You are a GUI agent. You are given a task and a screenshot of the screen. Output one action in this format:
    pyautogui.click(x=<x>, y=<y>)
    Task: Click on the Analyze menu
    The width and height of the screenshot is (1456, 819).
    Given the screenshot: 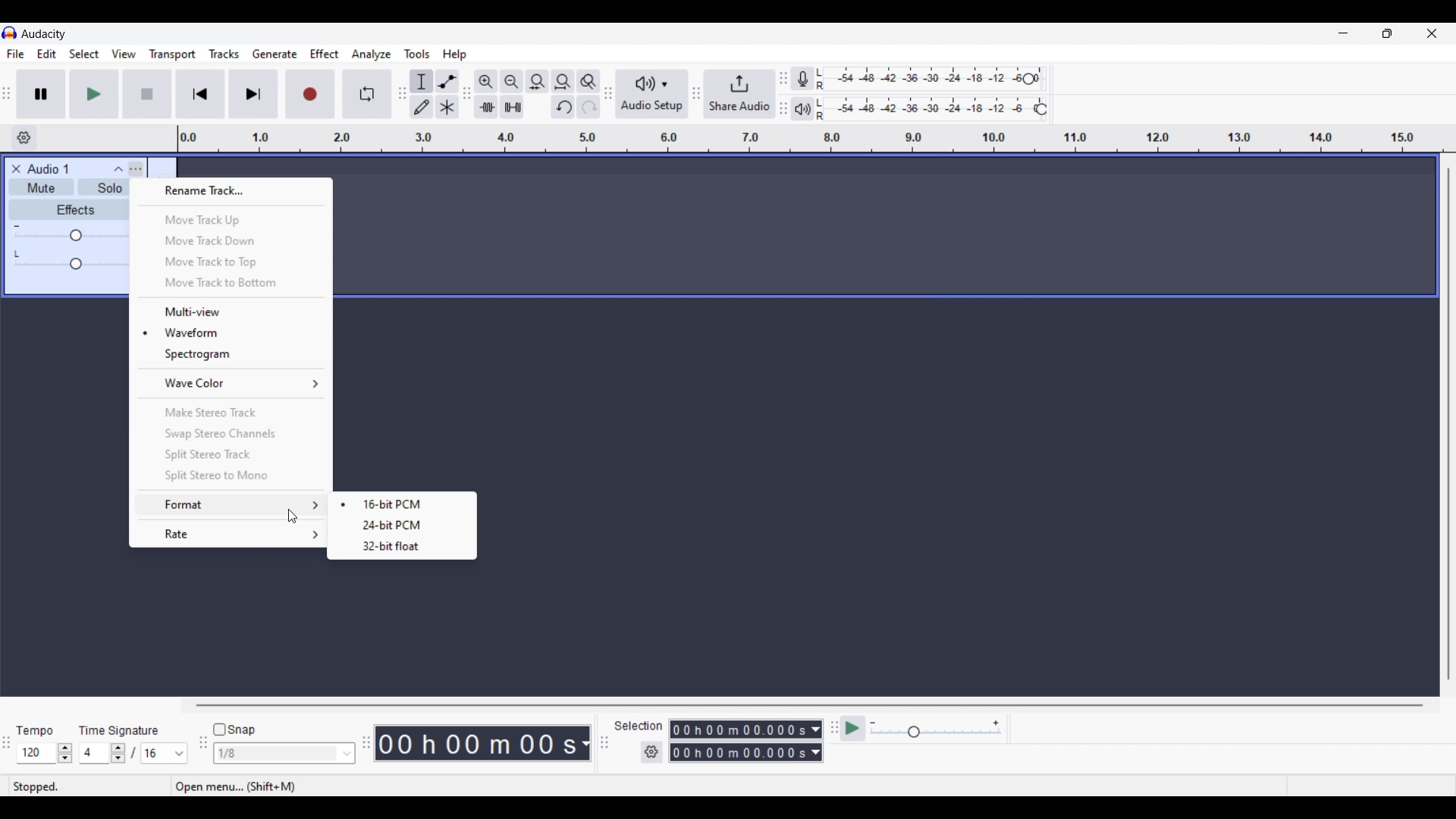 What is the action you would take?
    pyautogui.click(x=372, y=54)
    